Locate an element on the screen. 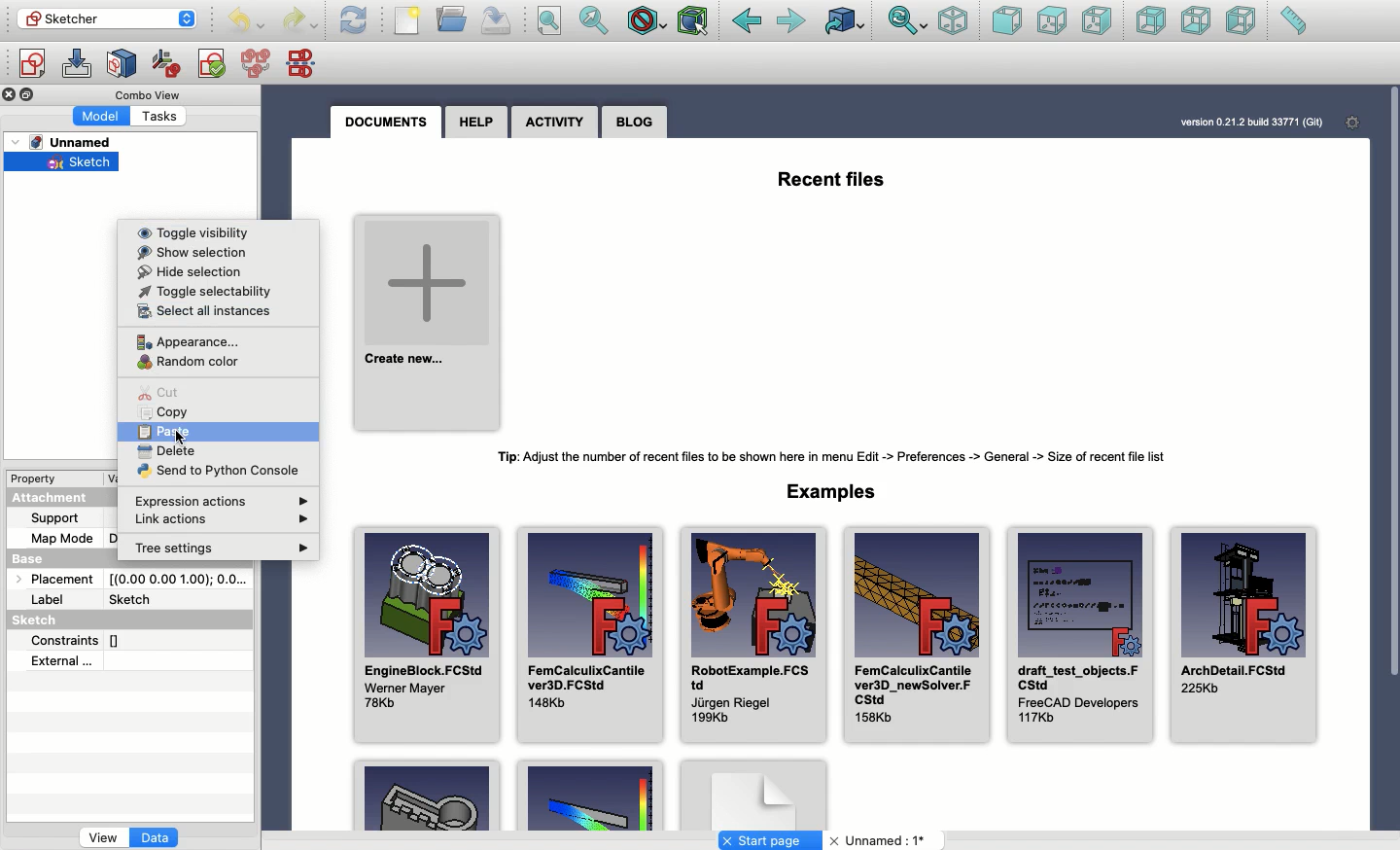 This screenshot has height=850, width=1400. Left is located at coordinates (1242, 20).